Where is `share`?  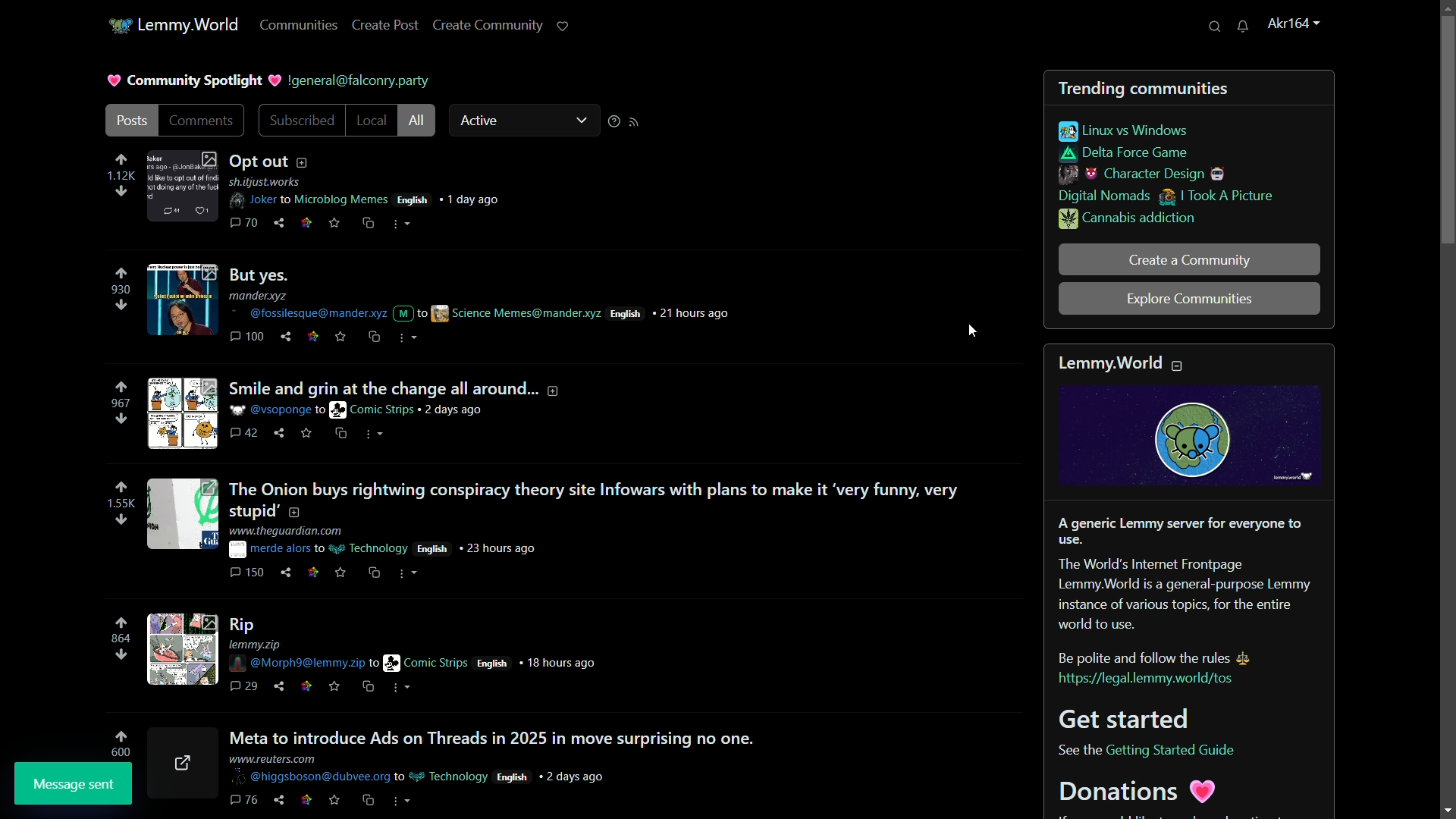
share is located at coordinates (277, 433).